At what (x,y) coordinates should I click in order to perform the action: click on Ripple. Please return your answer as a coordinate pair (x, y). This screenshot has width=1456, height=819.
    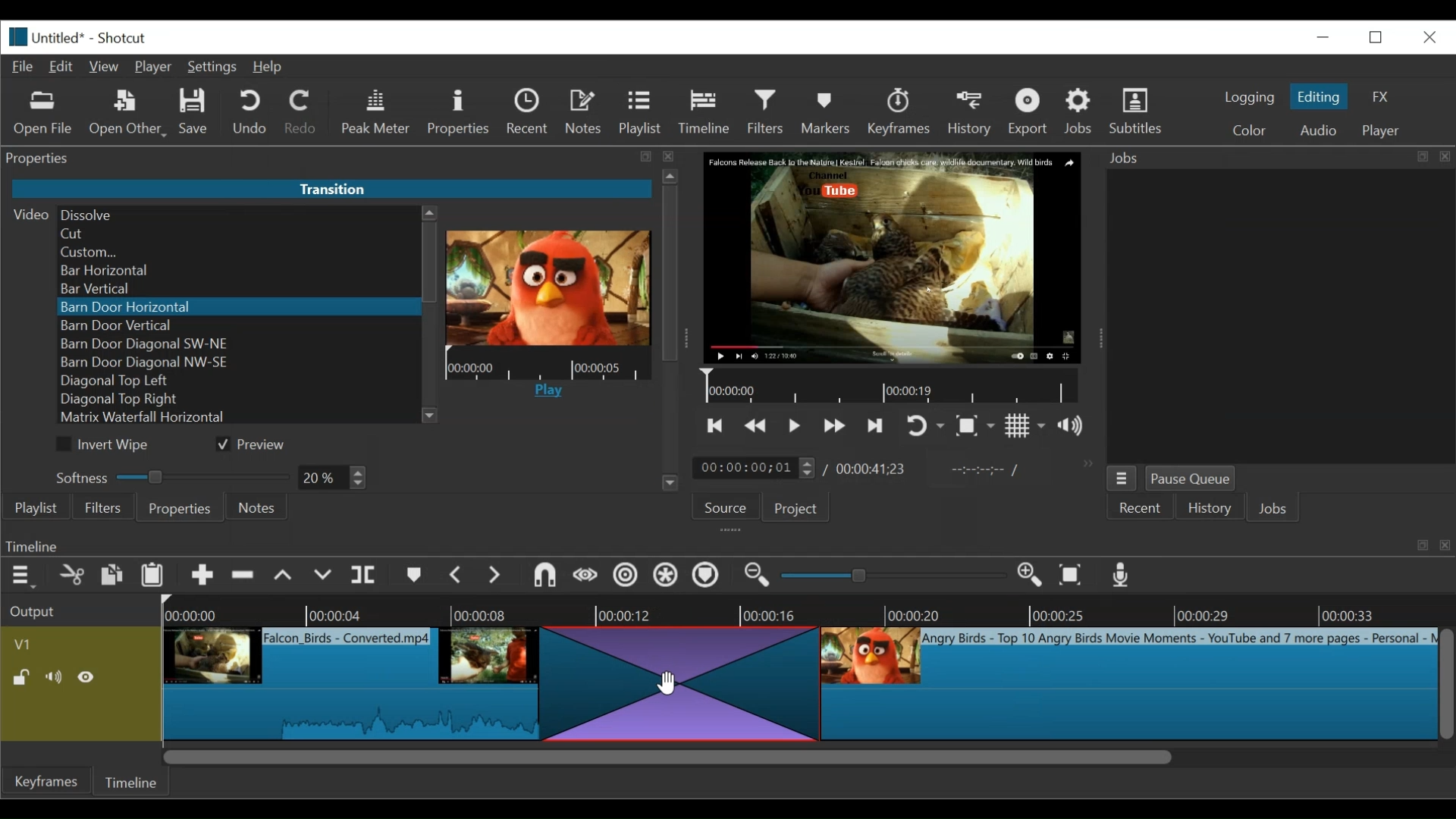
    Looking at the image, I should click on (625, 576).